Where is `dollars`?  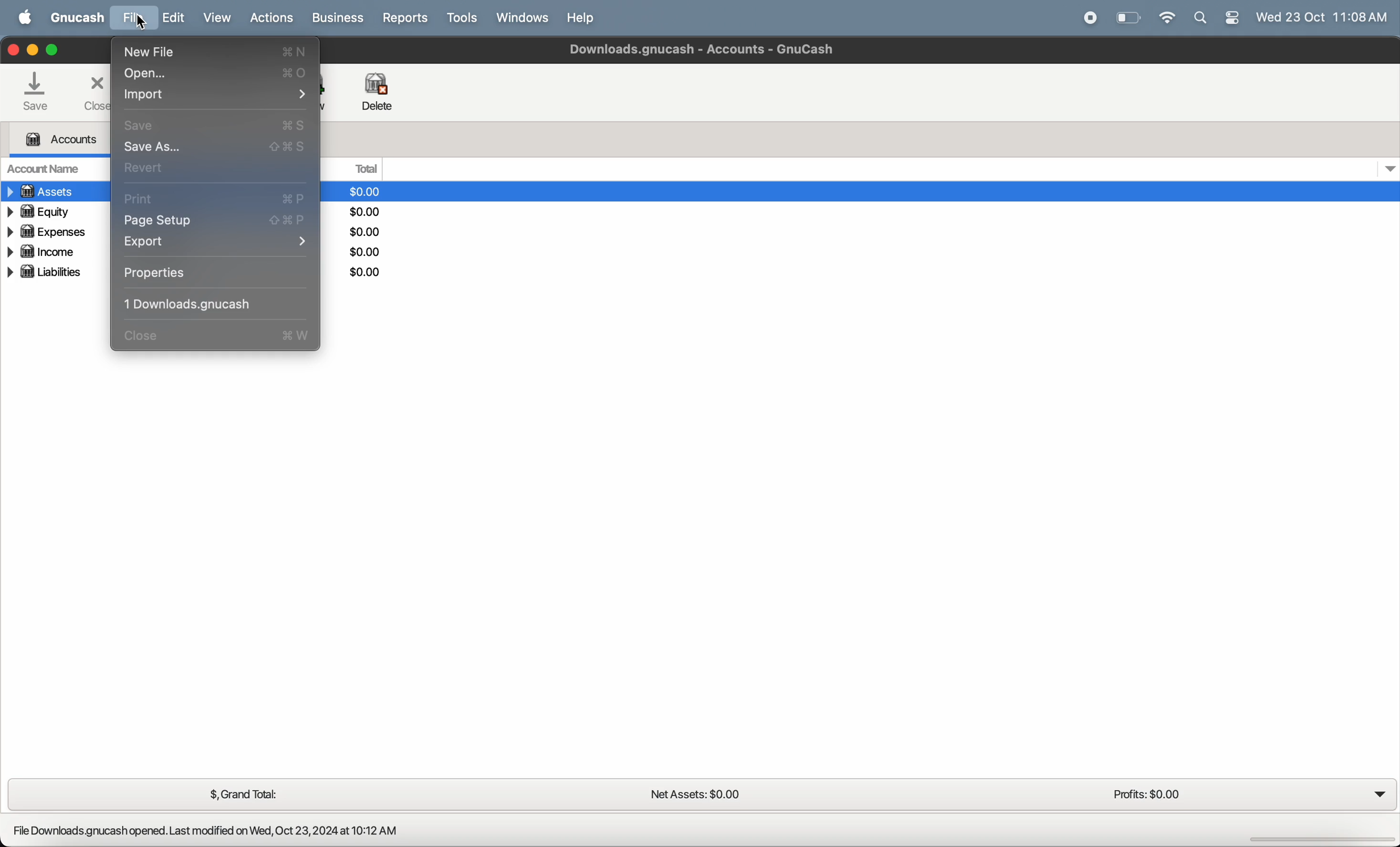 dollars is located at coordinates (362, 193).